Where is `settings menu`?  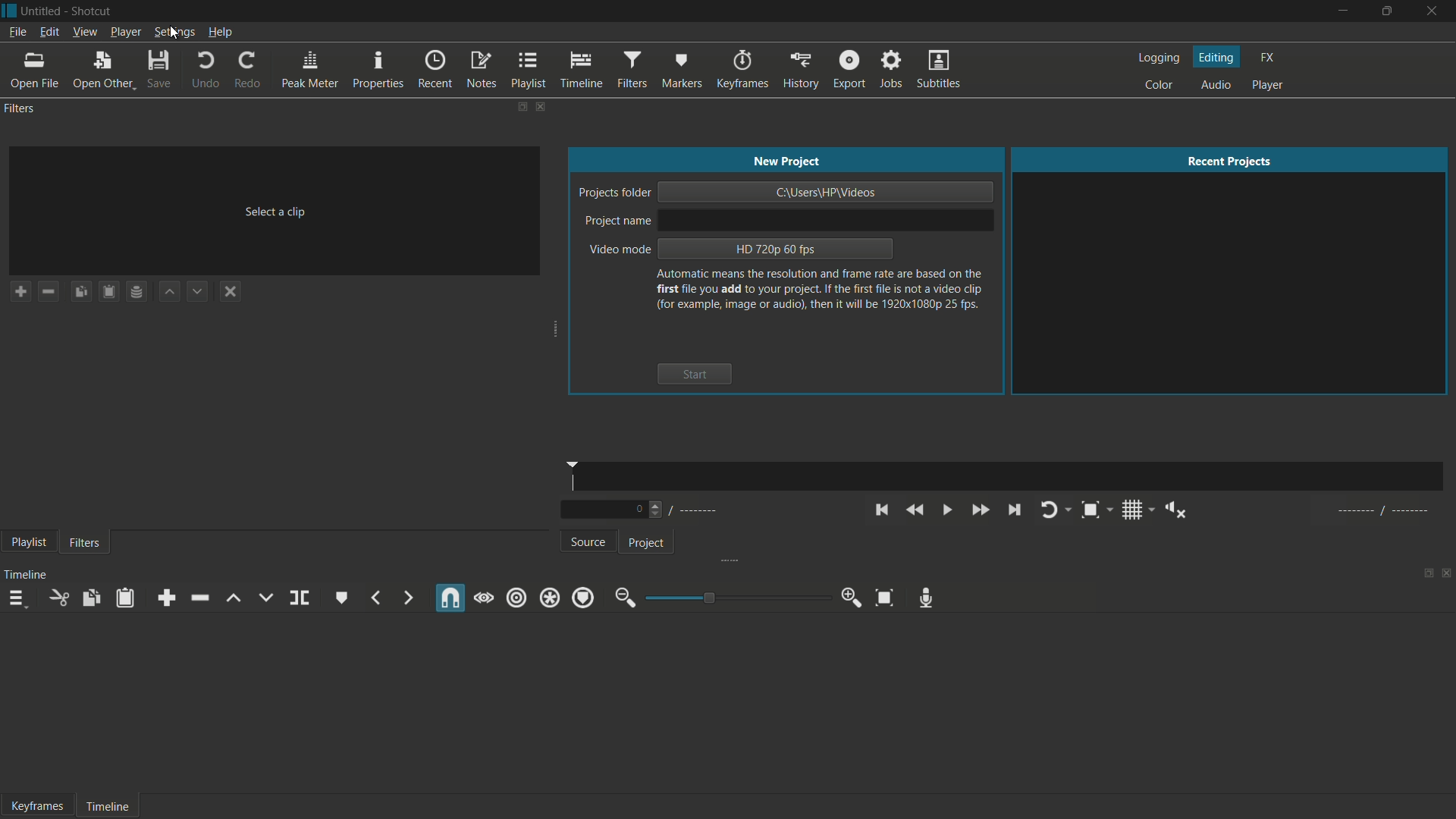
settings menu is located at coordinates (172, 33).